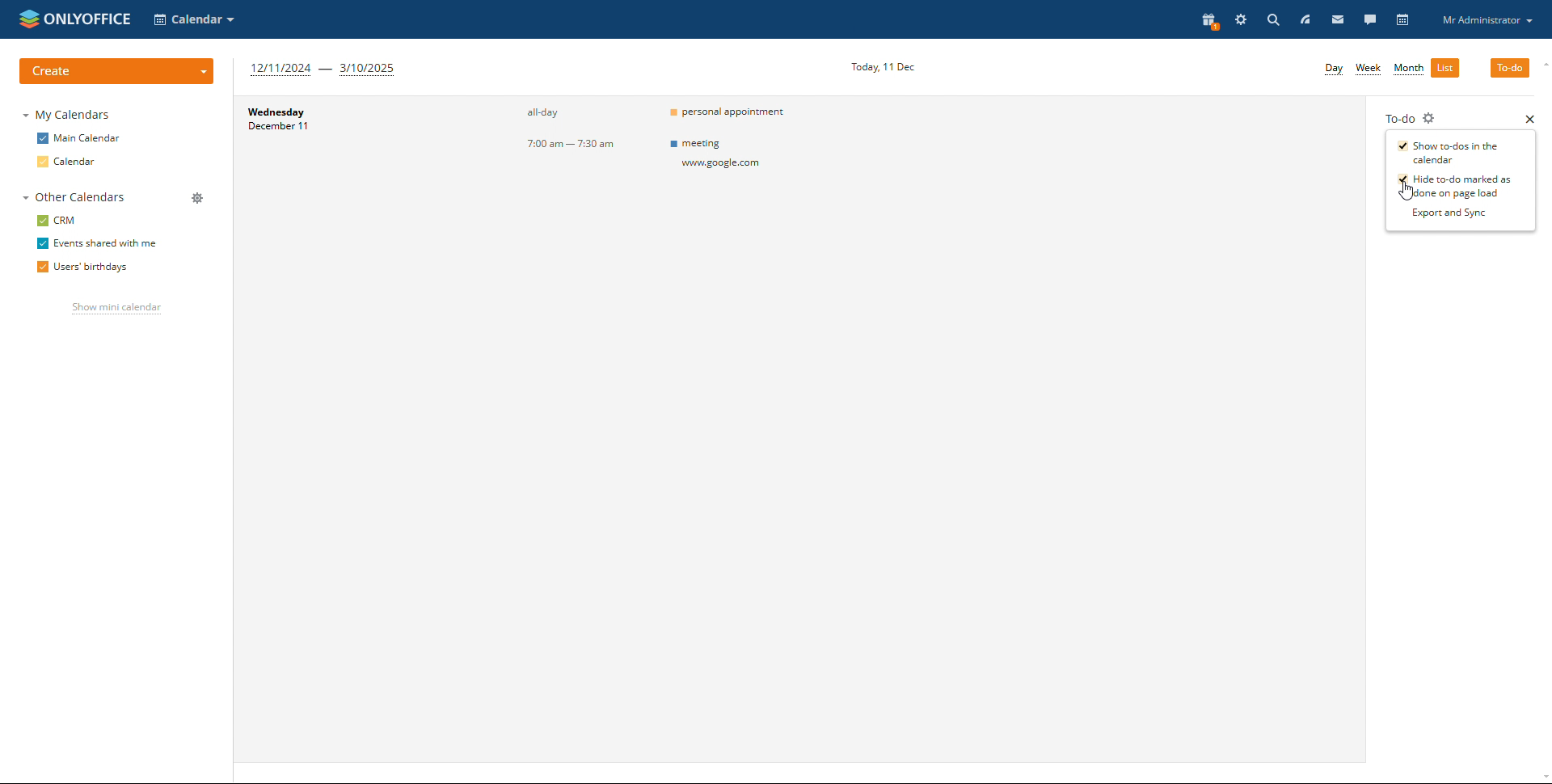 The width and height of the screenshot is (1552, 784). I want to click on scroll up, so click(1542, 64).